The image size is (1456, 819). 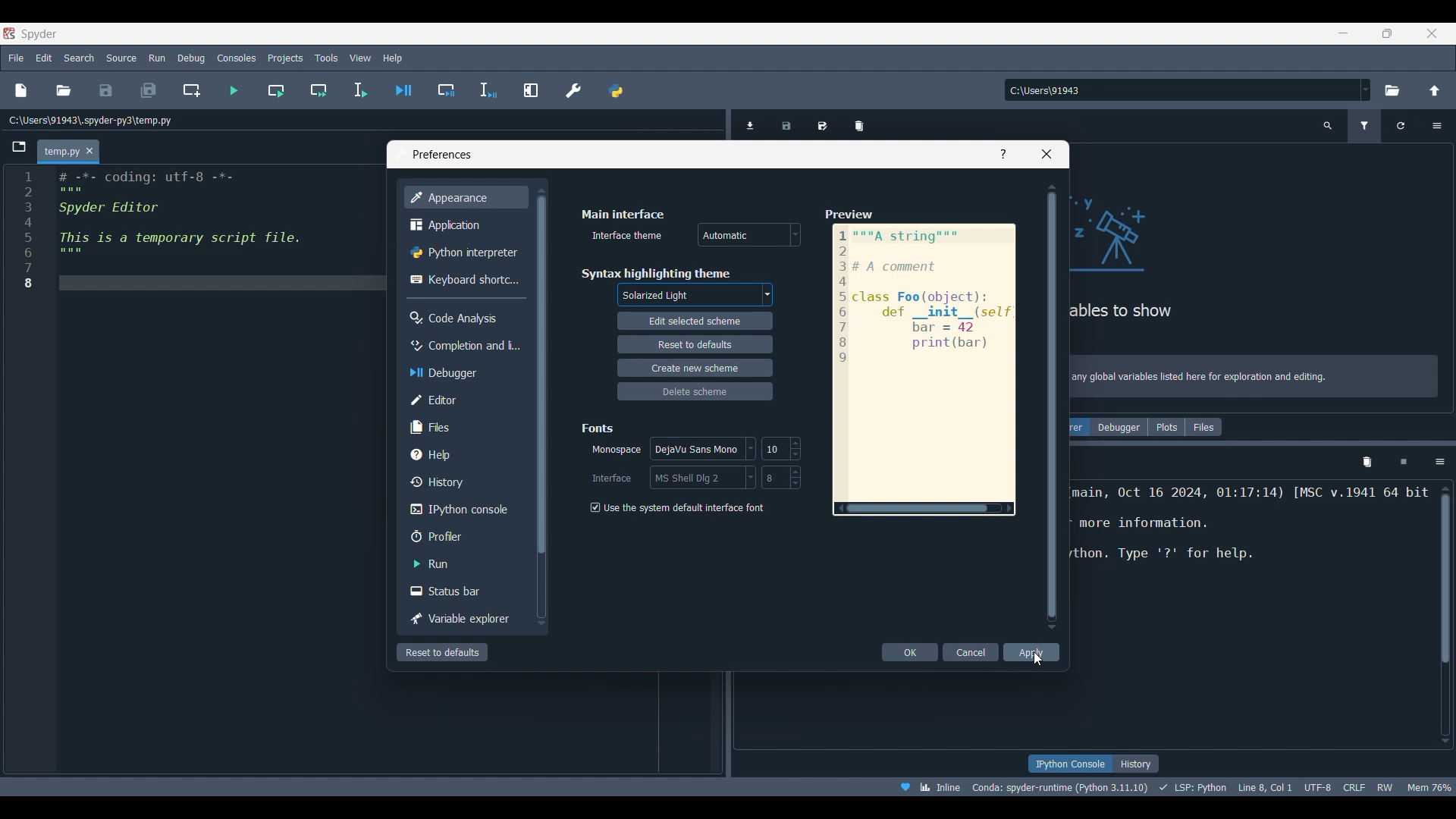 What do you see at coordinates (1053, 406) in the screenshot?
I see `Vertical slide bar` at bounding box center [1053, 406].